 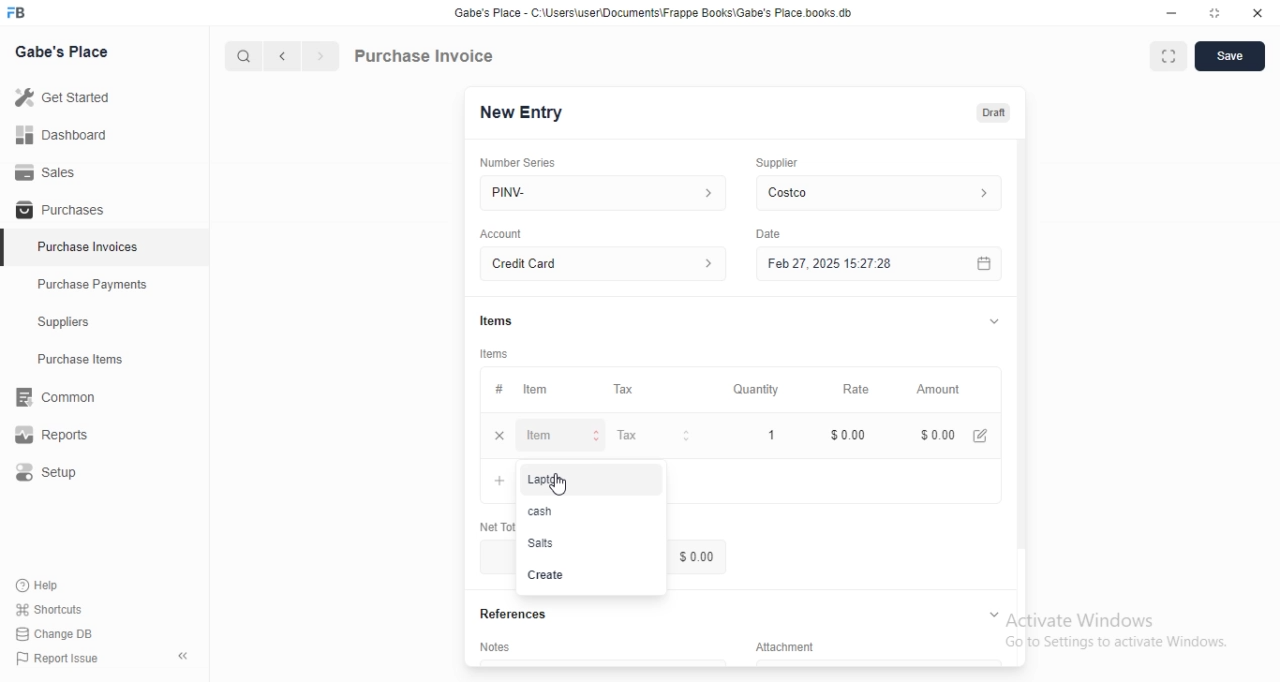 What do you see at coordinates (496, 321) in the screenshot?
I see `Items` at bounding box center [496, 321].